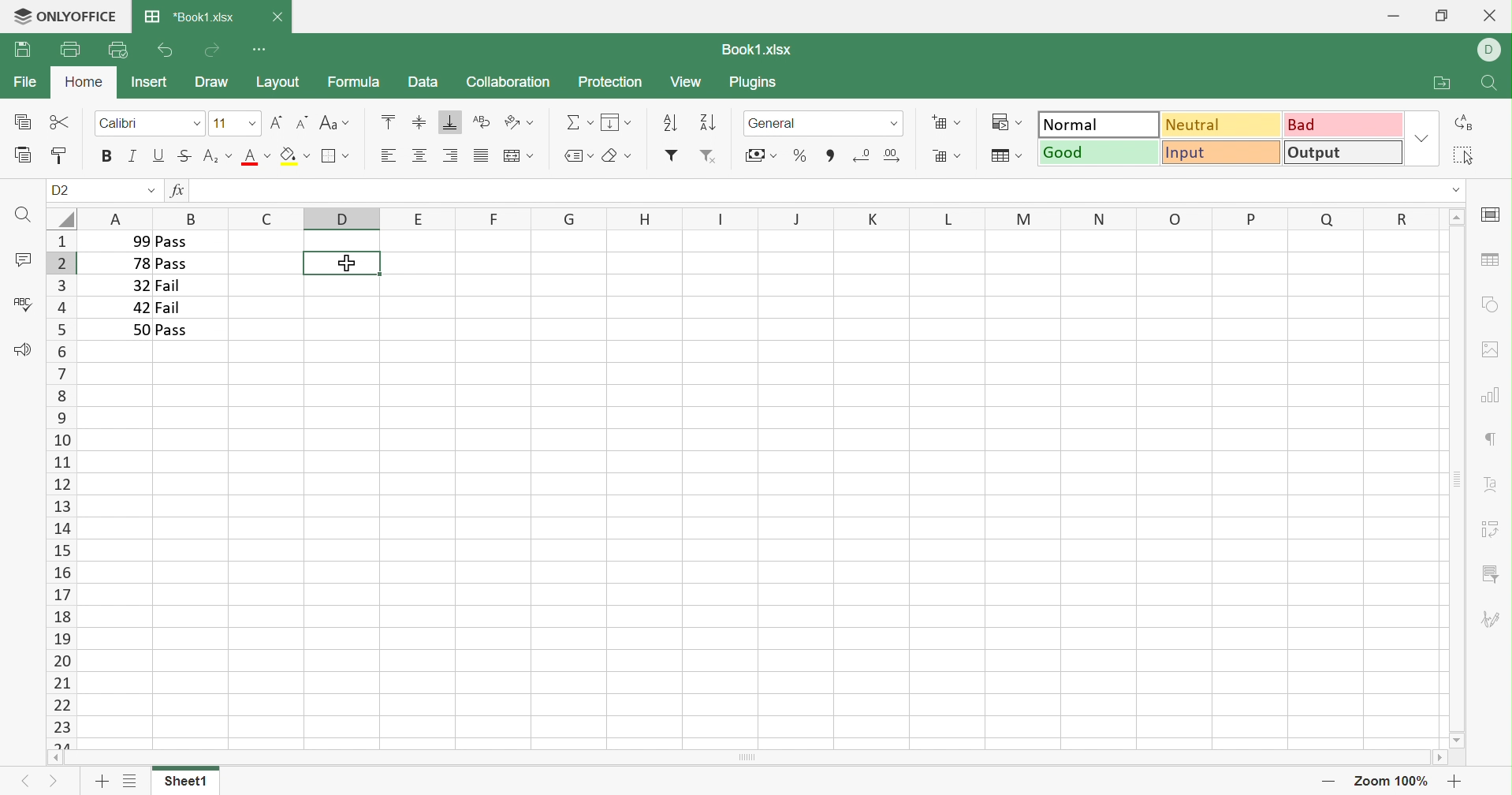 This screenshot has width=1512, height=795. I want to click on Increase decimal, so click(893, 155).